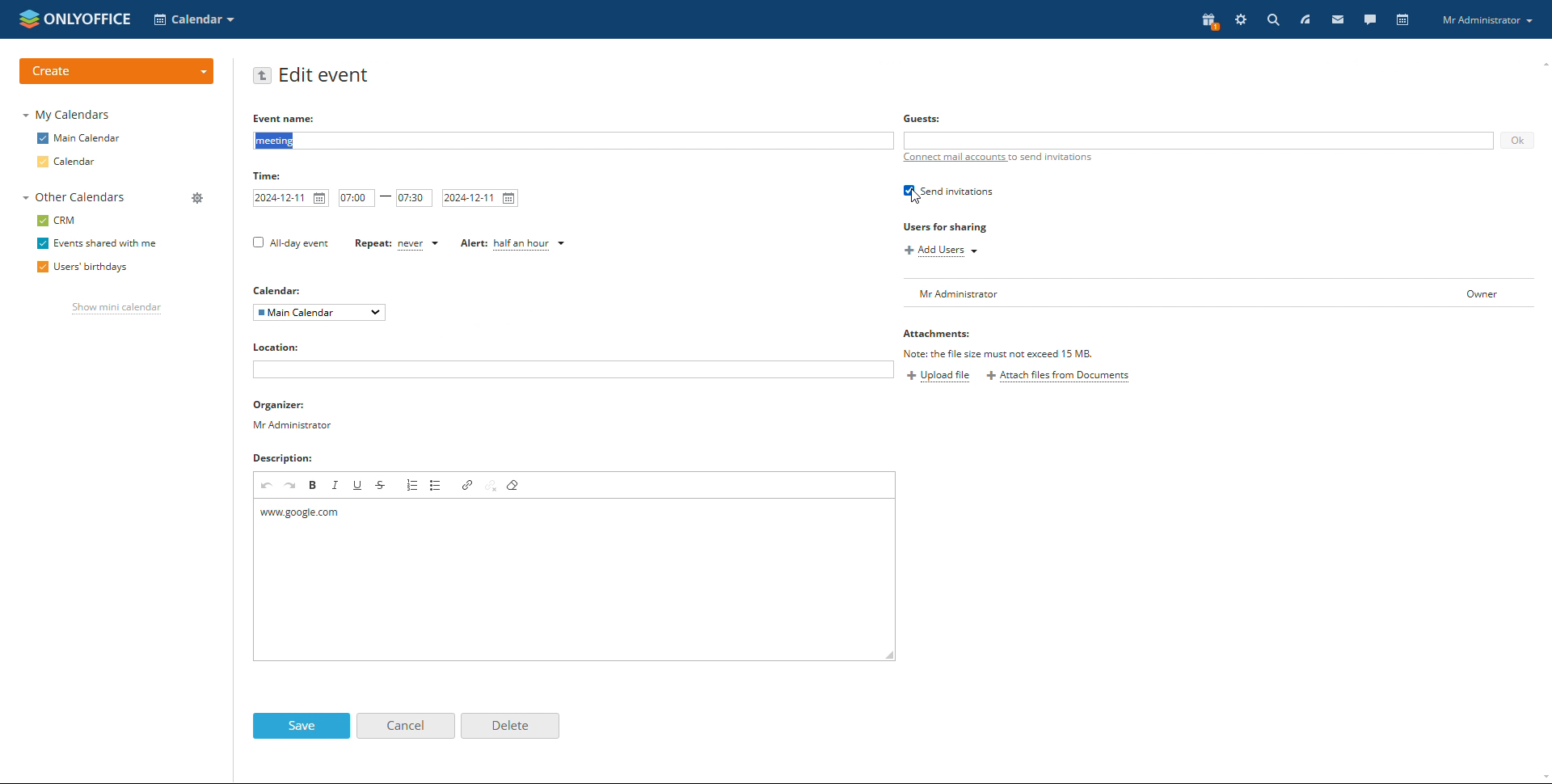  What do you see at coordinates (949, 191) in the screenshot?
I see `send invitations` at bounding box center [949, 191].